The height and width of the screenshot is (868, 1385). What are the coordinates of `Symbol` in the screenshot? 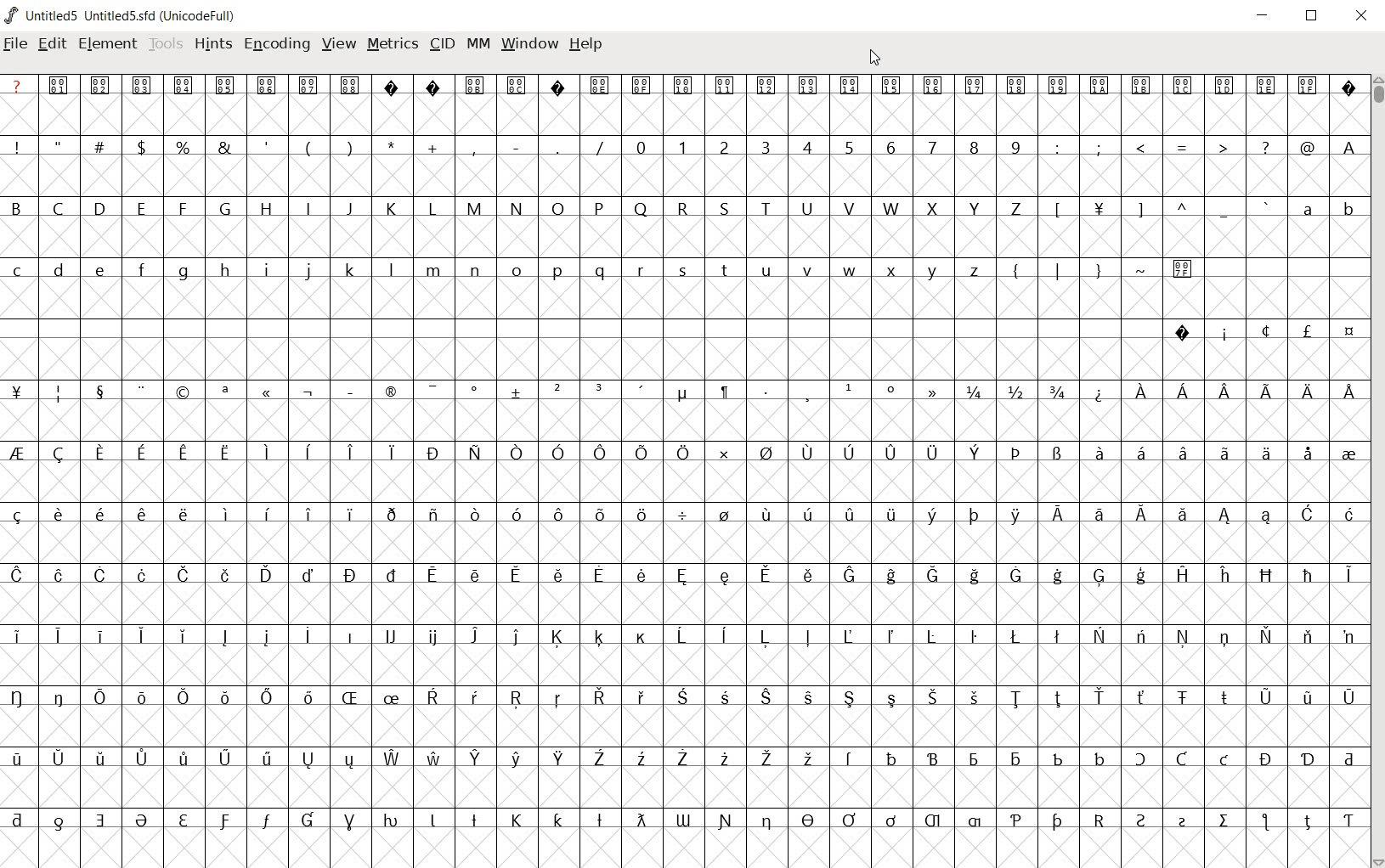 It's located at (807, 697).